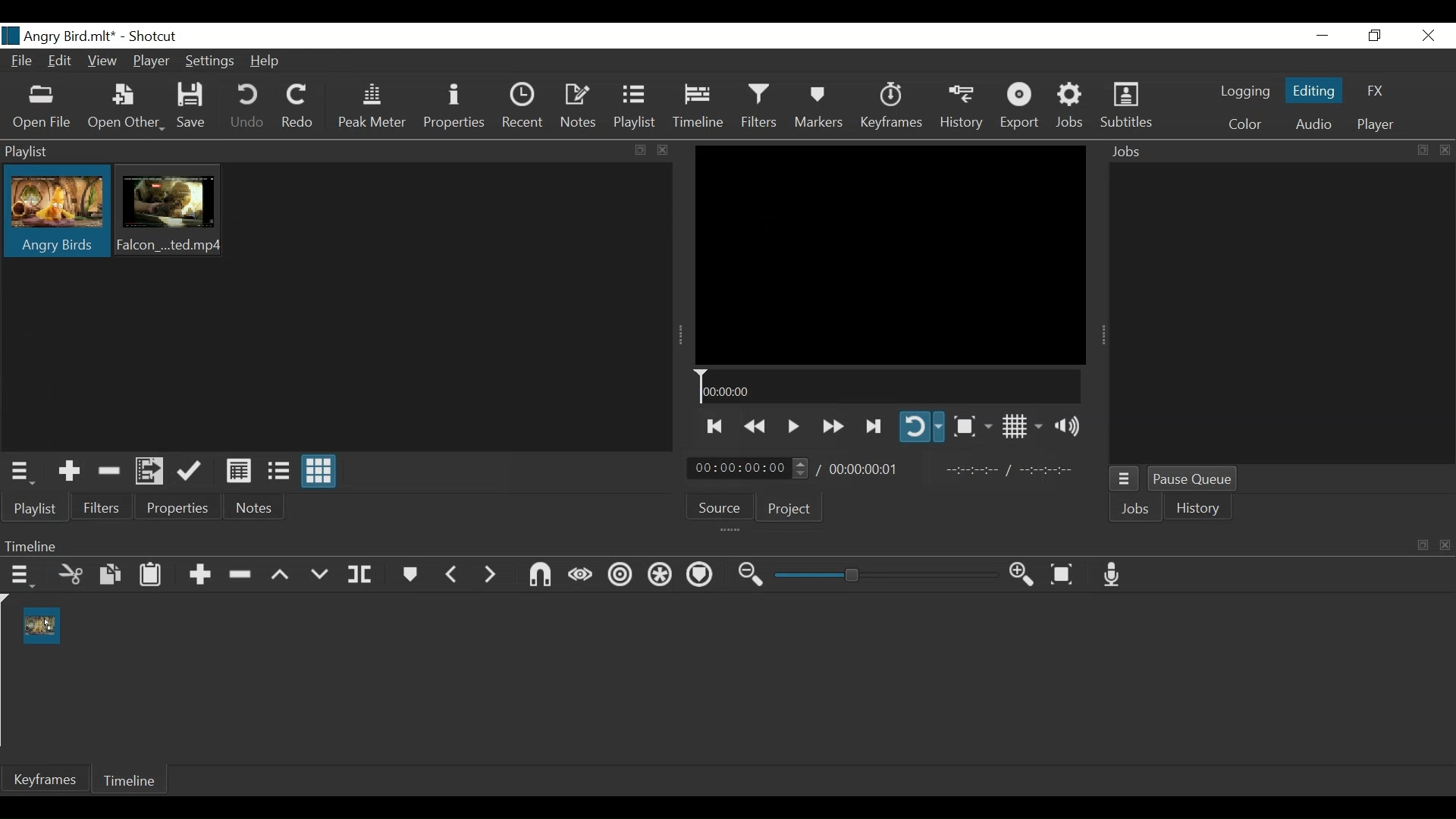  Describe the element at coordinates (620, 575) in the screenshot. I see `Ripple` at that location.